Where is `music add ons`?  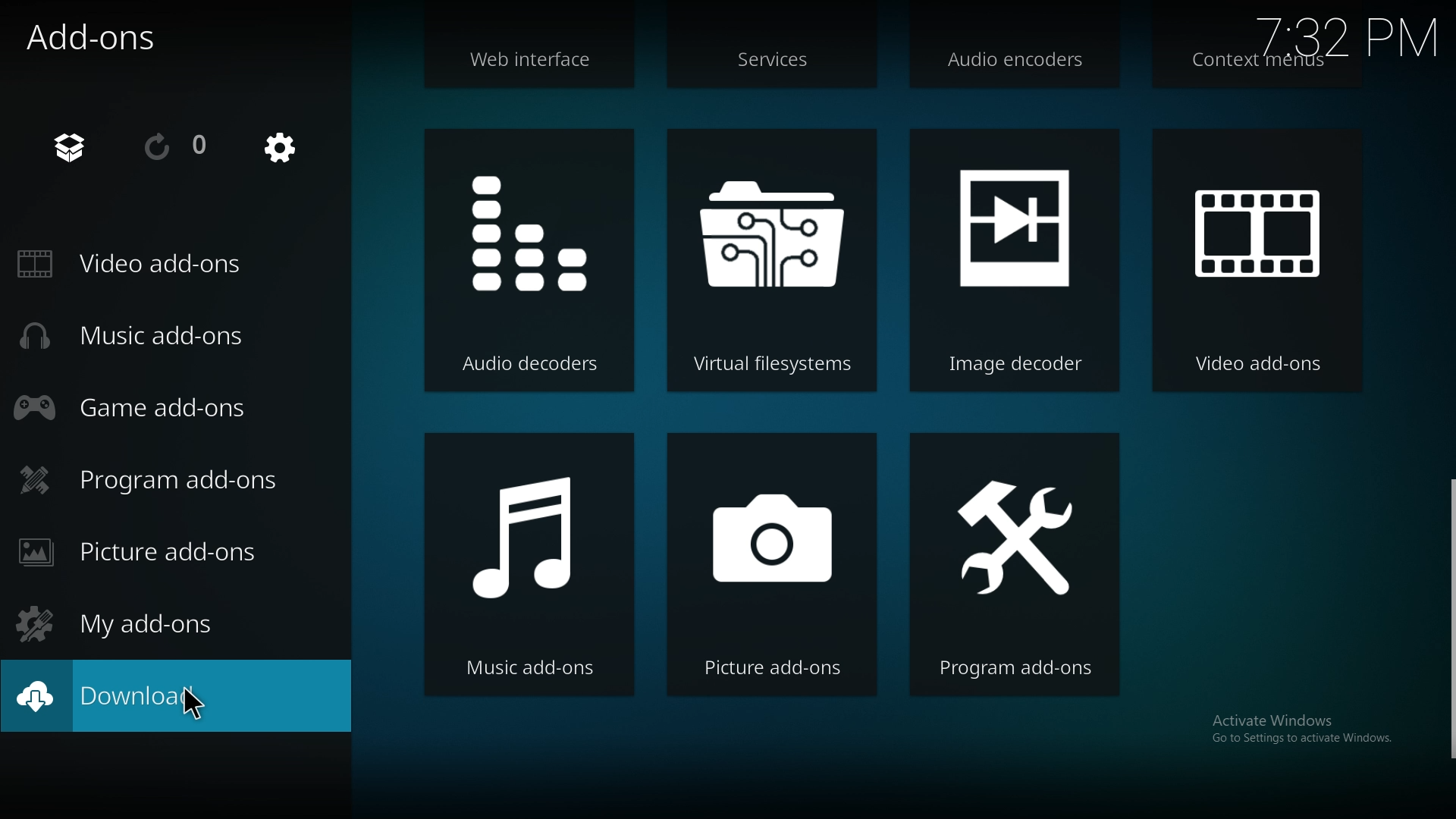 music add ons is located at coordinates (526, 563).